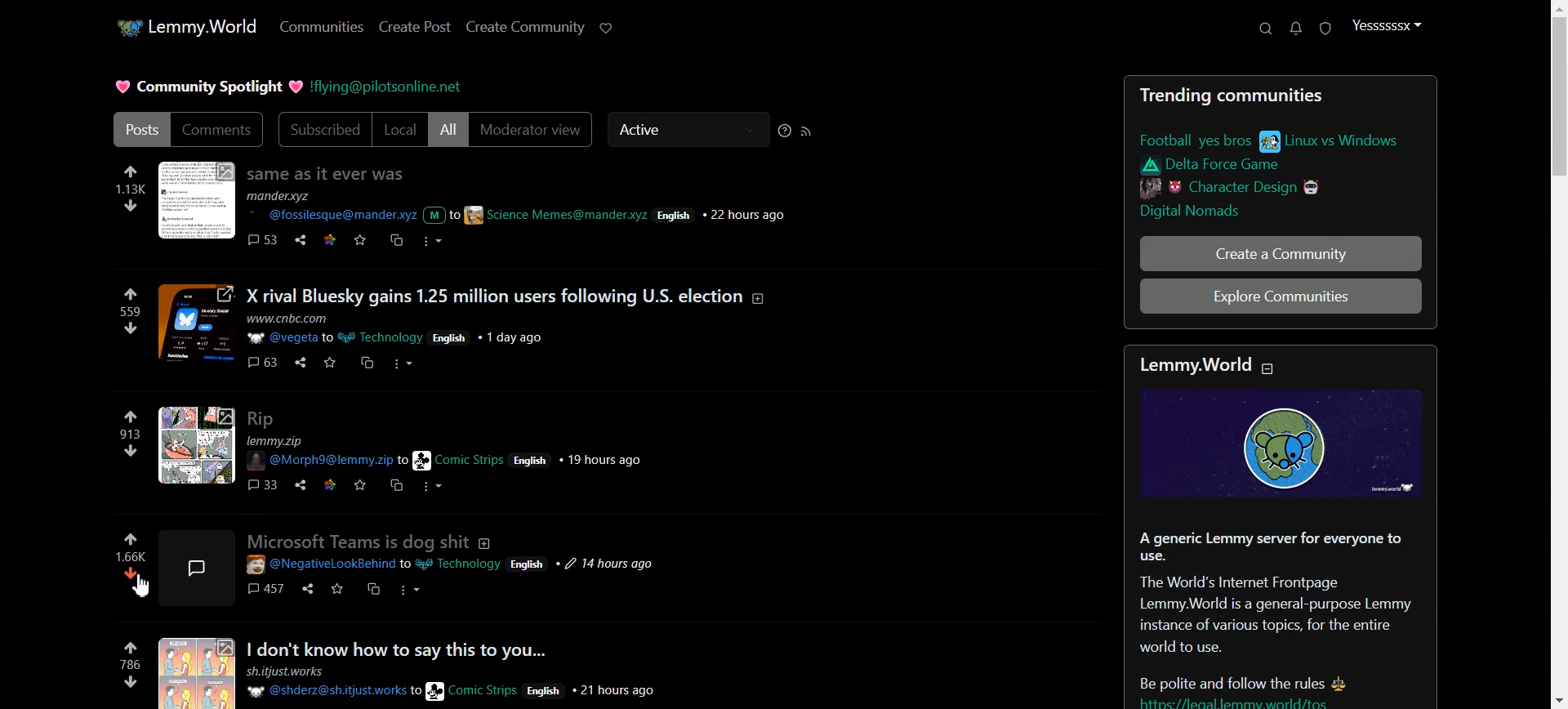 This screenshot has width=1568, height=709. Describe the element at coordinates (129, 451) in the screenshot. I see `down` at that location.